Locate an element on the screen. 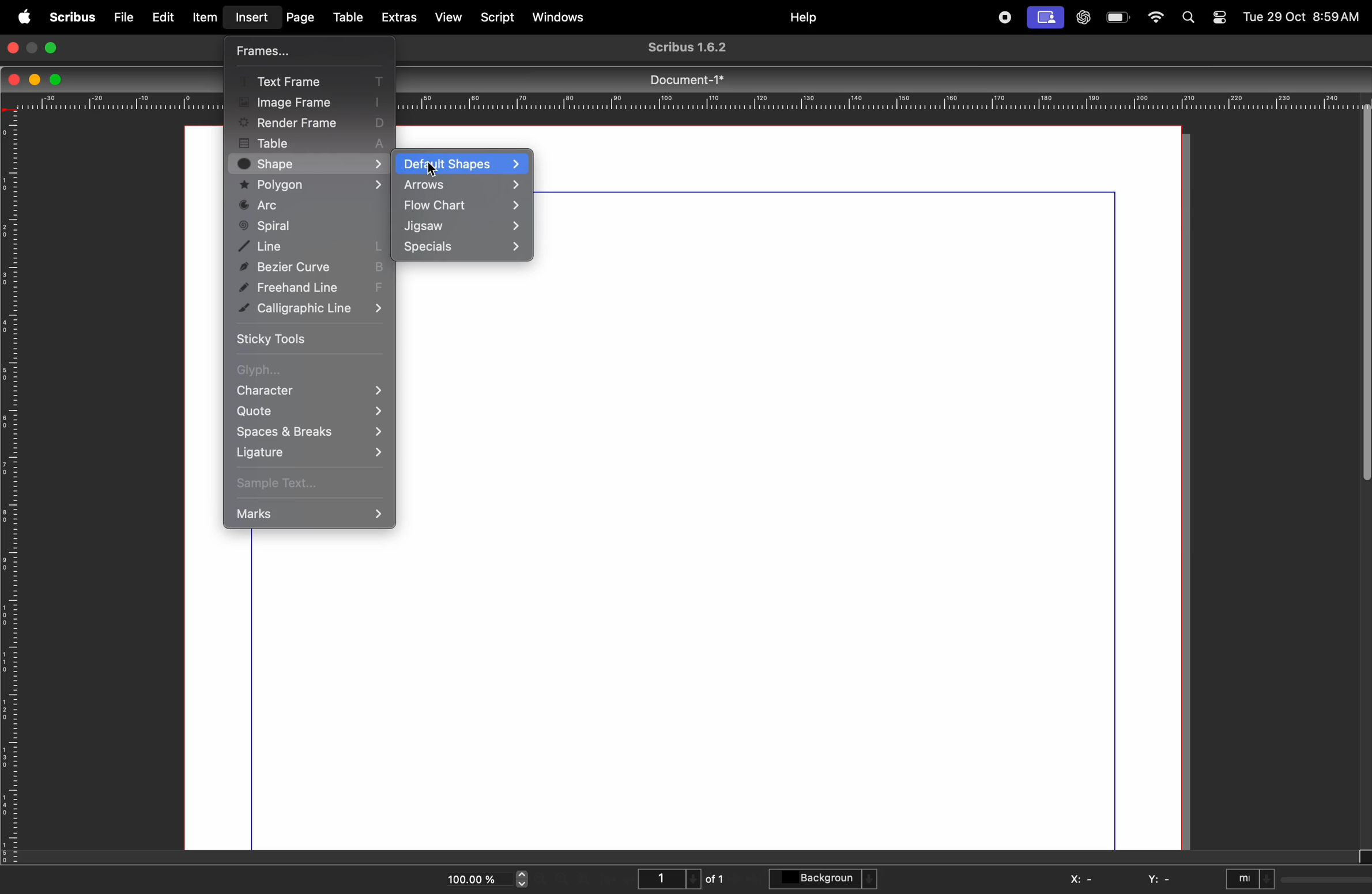 This screenshot has width=1372, height=894. imahe frame      I is located at coordinates (309, 100).